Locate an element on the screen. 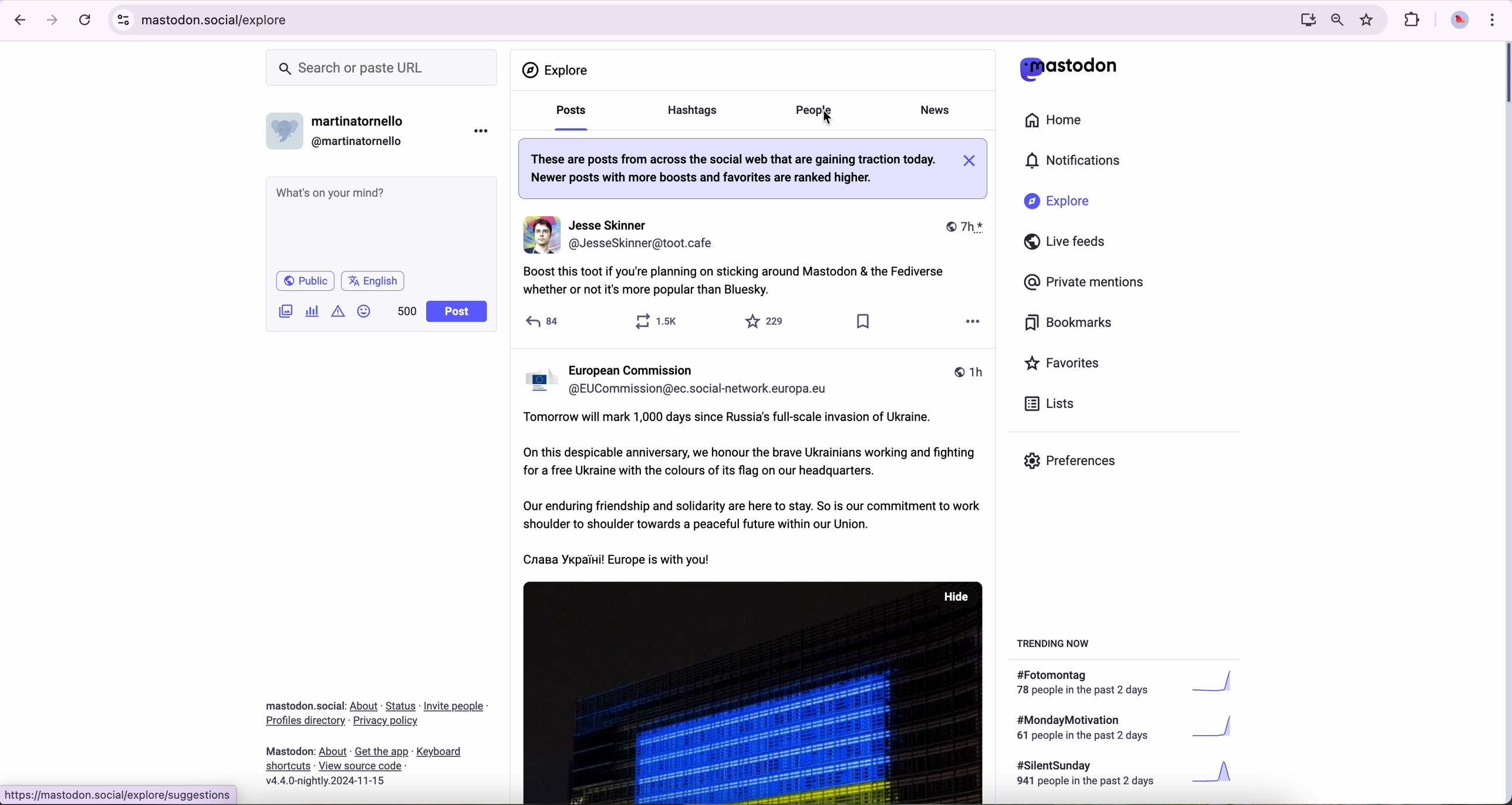 This screenshot has height=805, width=1512. about is located at coordinates (376, 739).